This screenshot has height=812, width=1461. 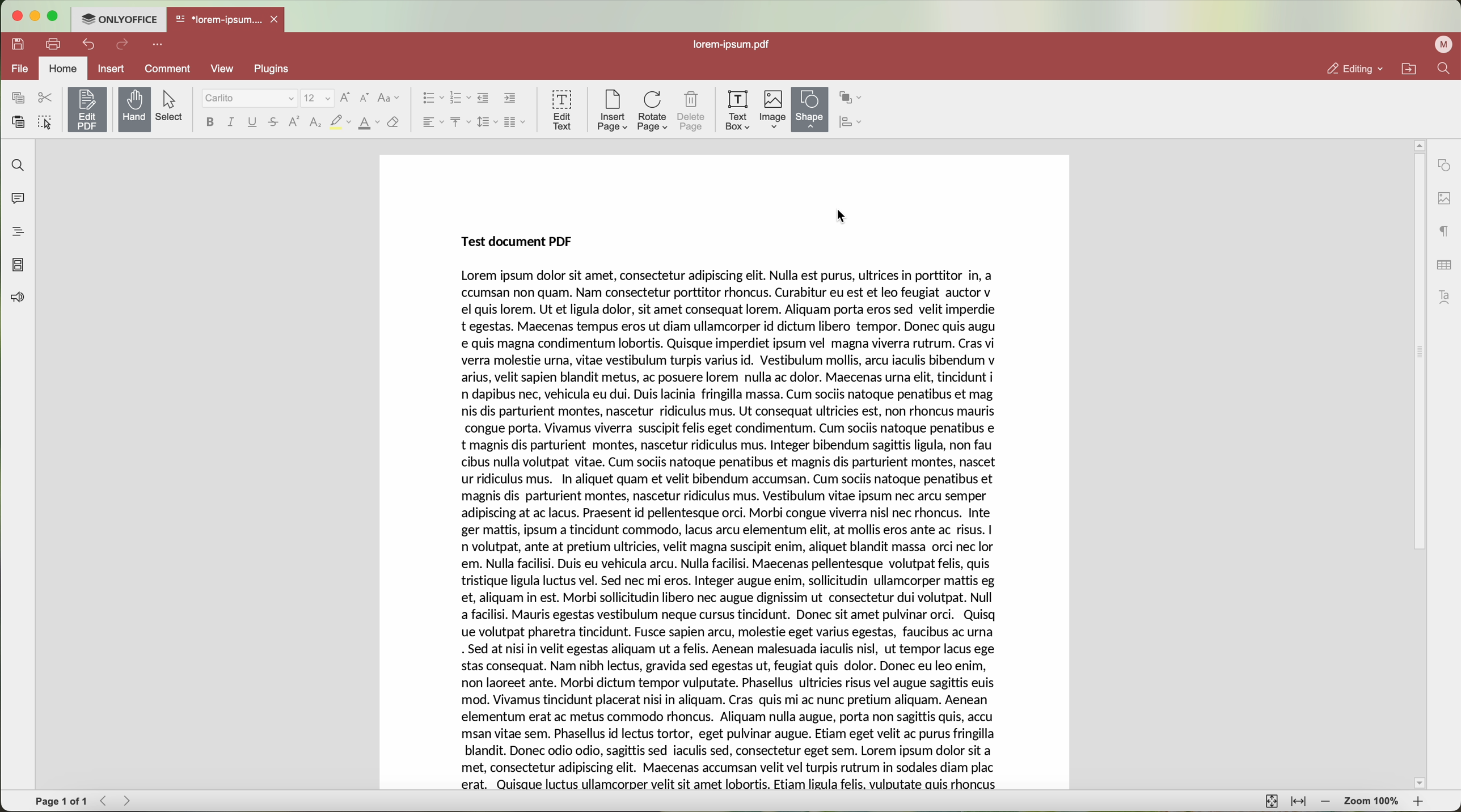 I want to click on undo, so click(x=90, y=44).